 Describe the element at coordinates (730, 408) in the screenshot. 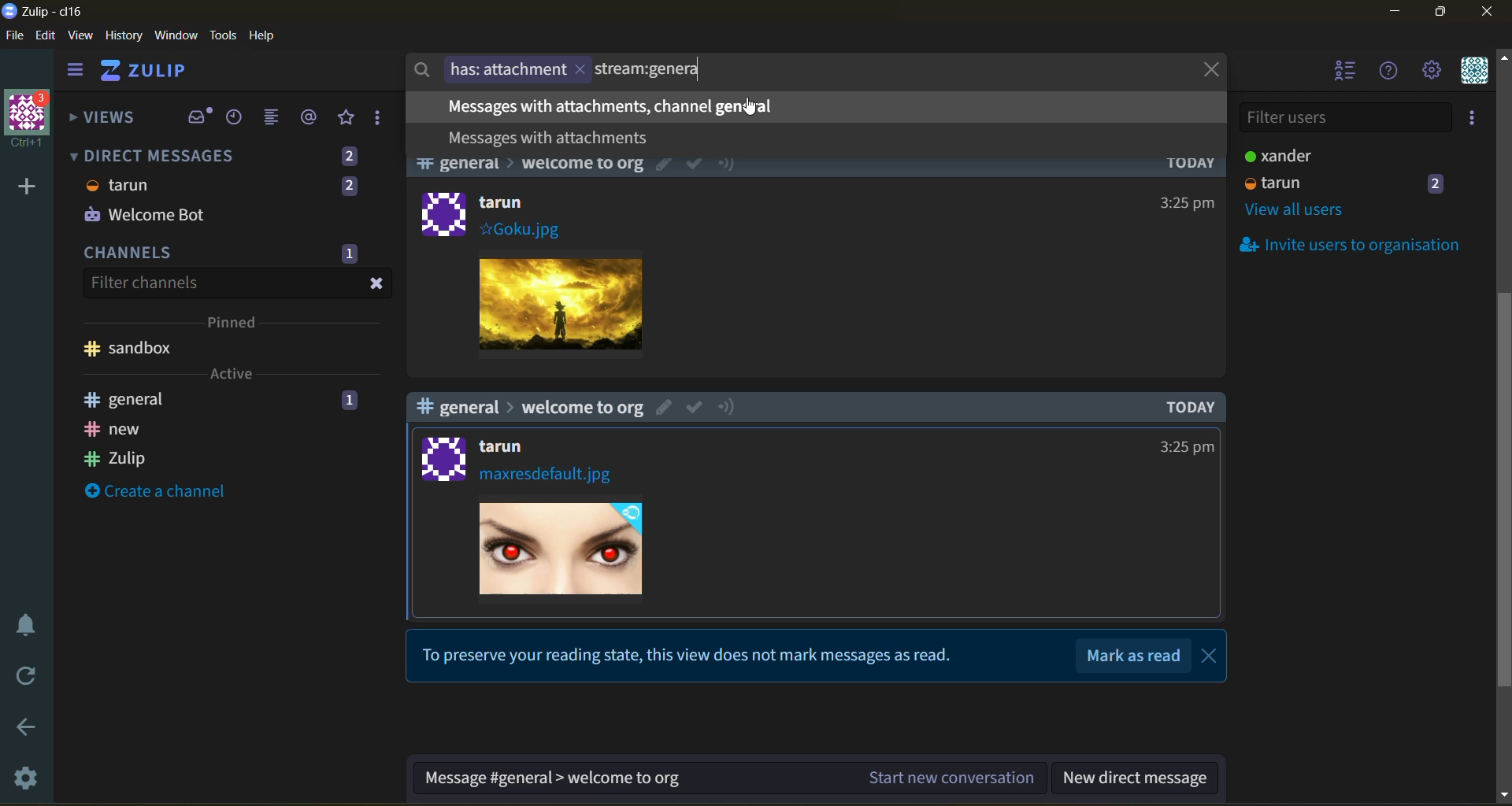

I see `notify` at that location.